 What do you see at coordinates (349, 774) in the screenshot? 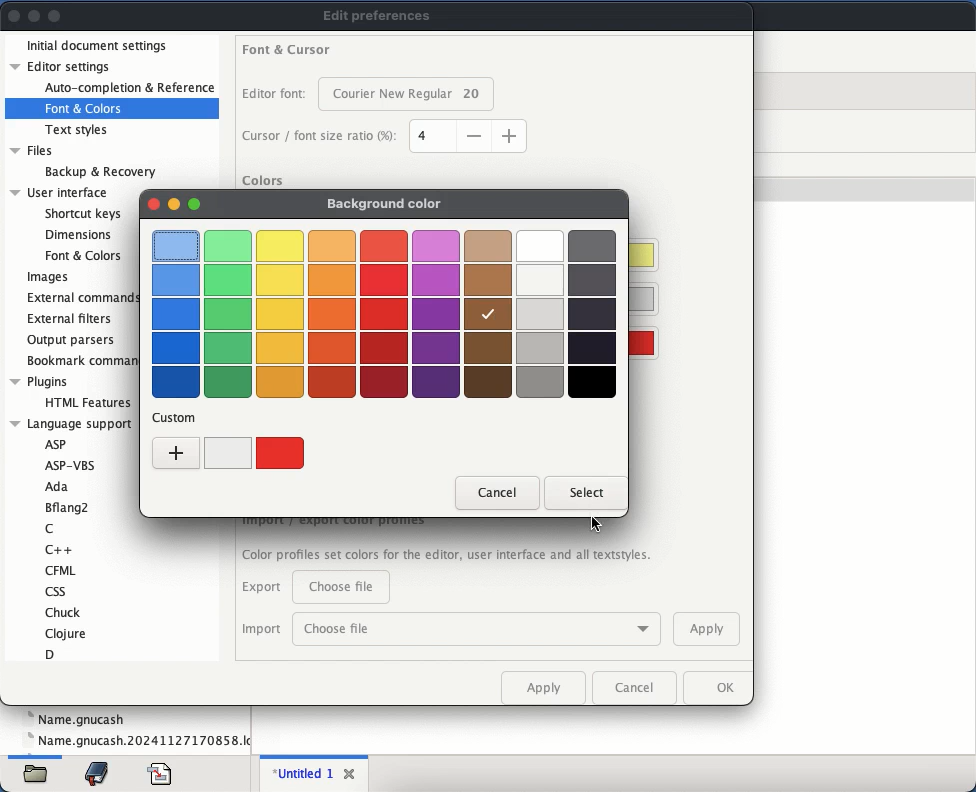
I see `close` at bounding box center [349, 774].